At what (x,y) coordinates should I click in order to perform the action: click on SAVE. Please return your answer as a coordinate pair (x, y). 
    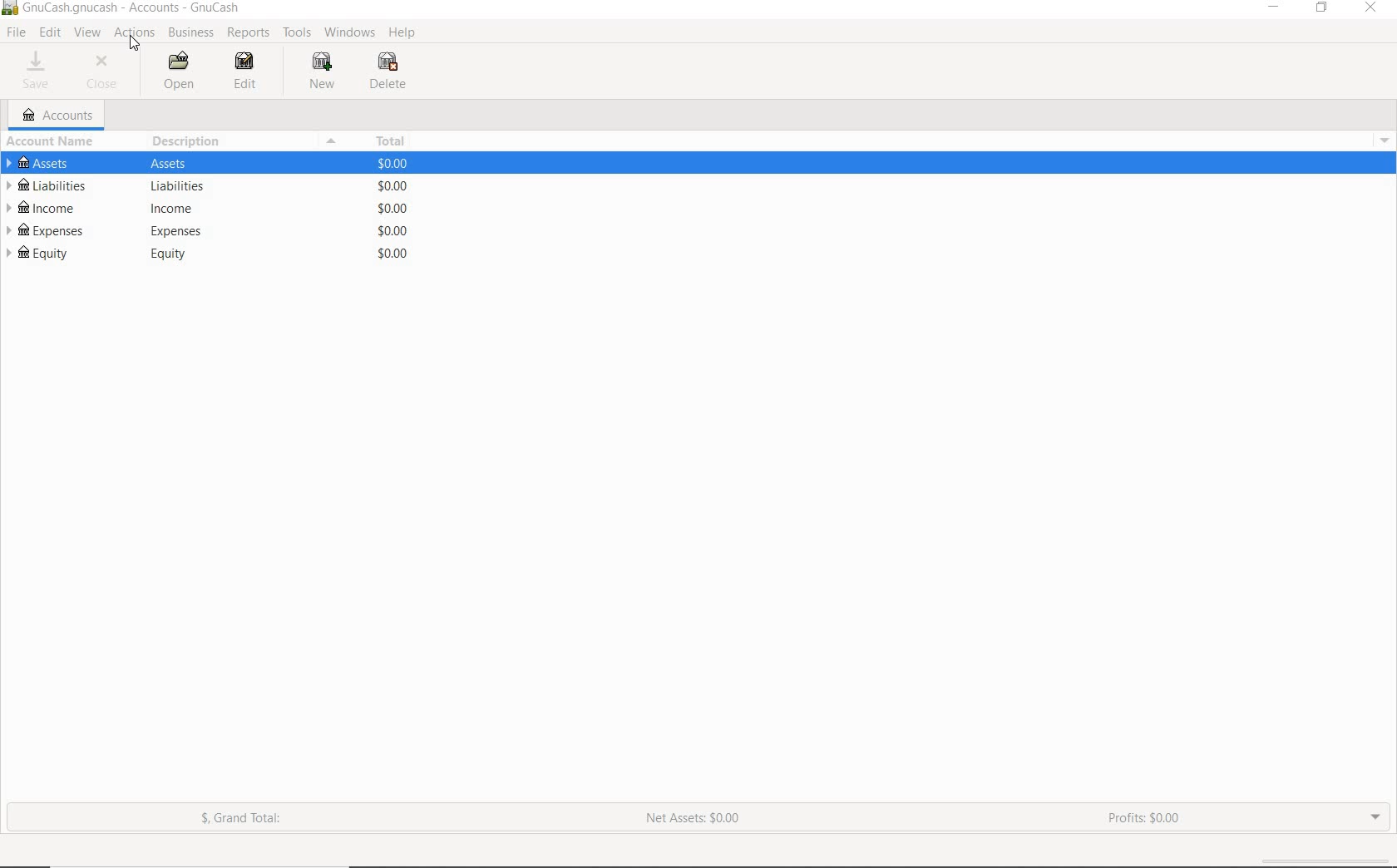
    Looking at the image, I should click on (36, 71).